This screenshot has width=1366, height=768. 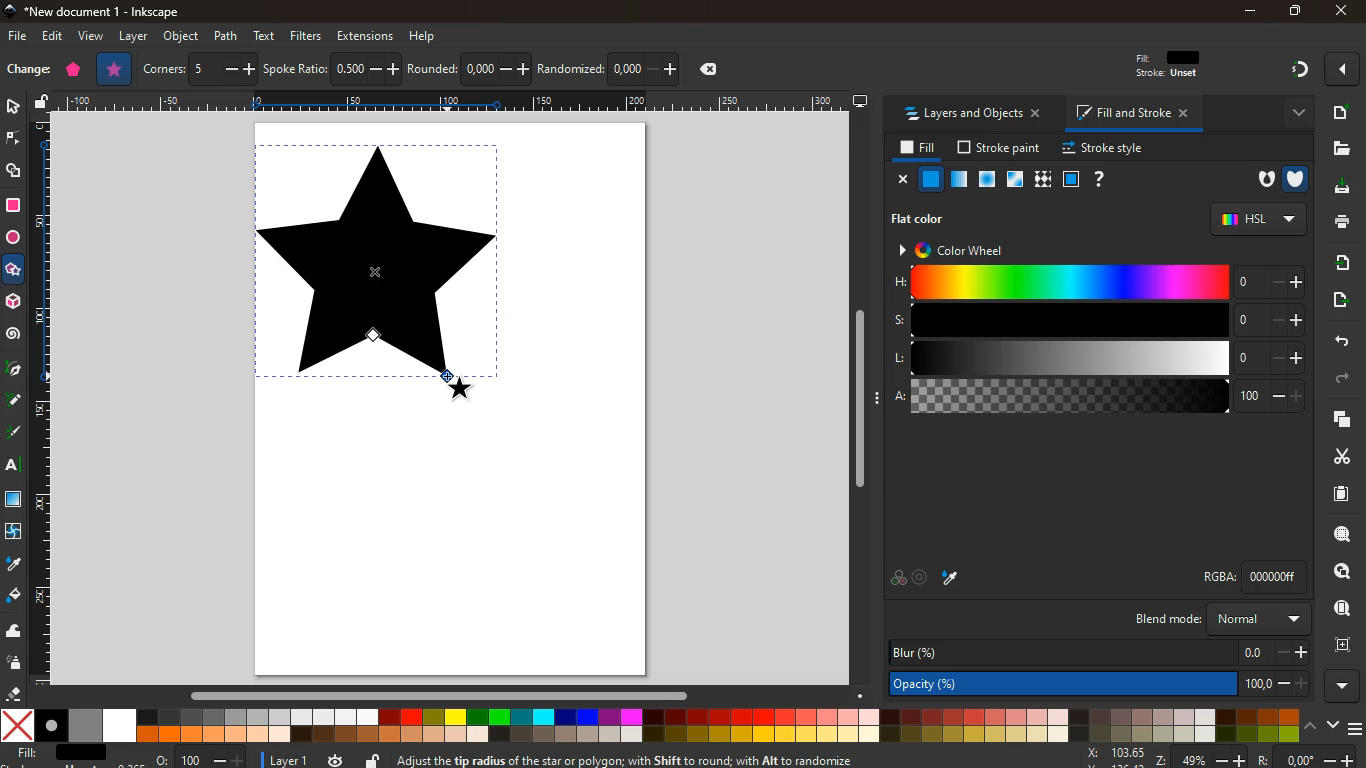 I want to click on desktop, so click(x=860, y=99).